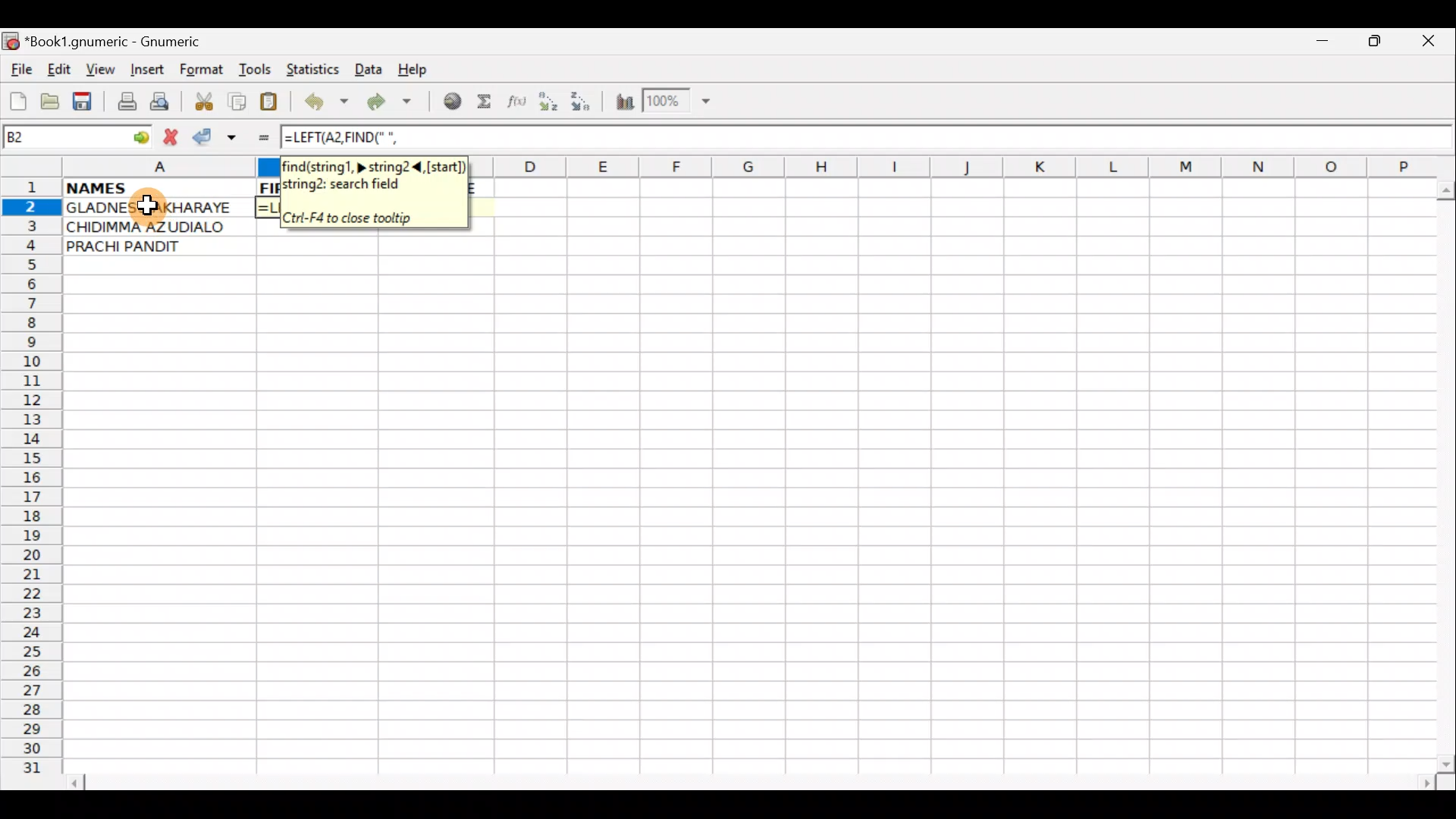  What do you see at coordinates (1377, 44) in the screenshot?
I see `Maximize` at bounding box center [1377, 44].